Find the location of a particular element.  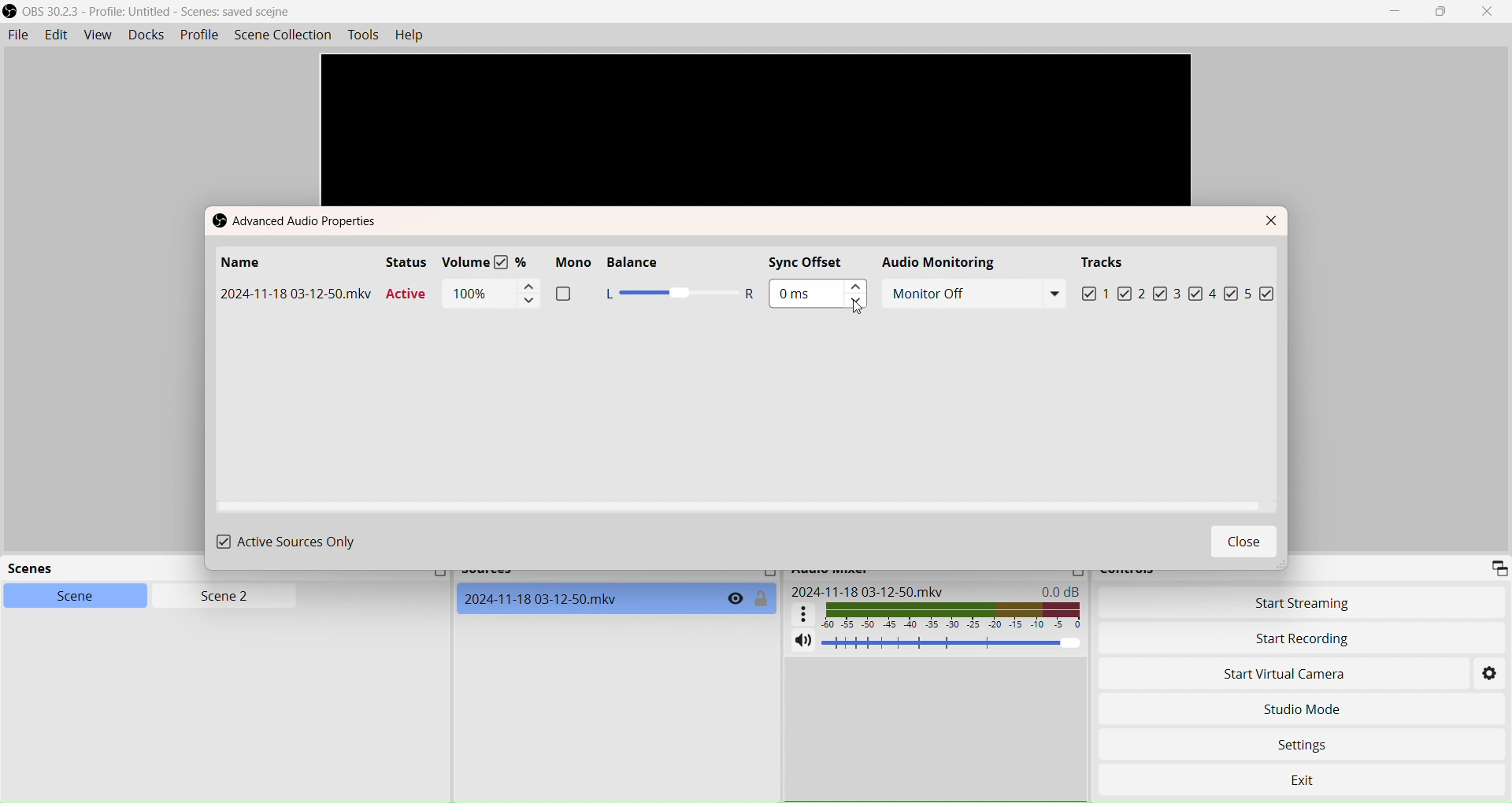

Close is located at coordinates (1492, 12).